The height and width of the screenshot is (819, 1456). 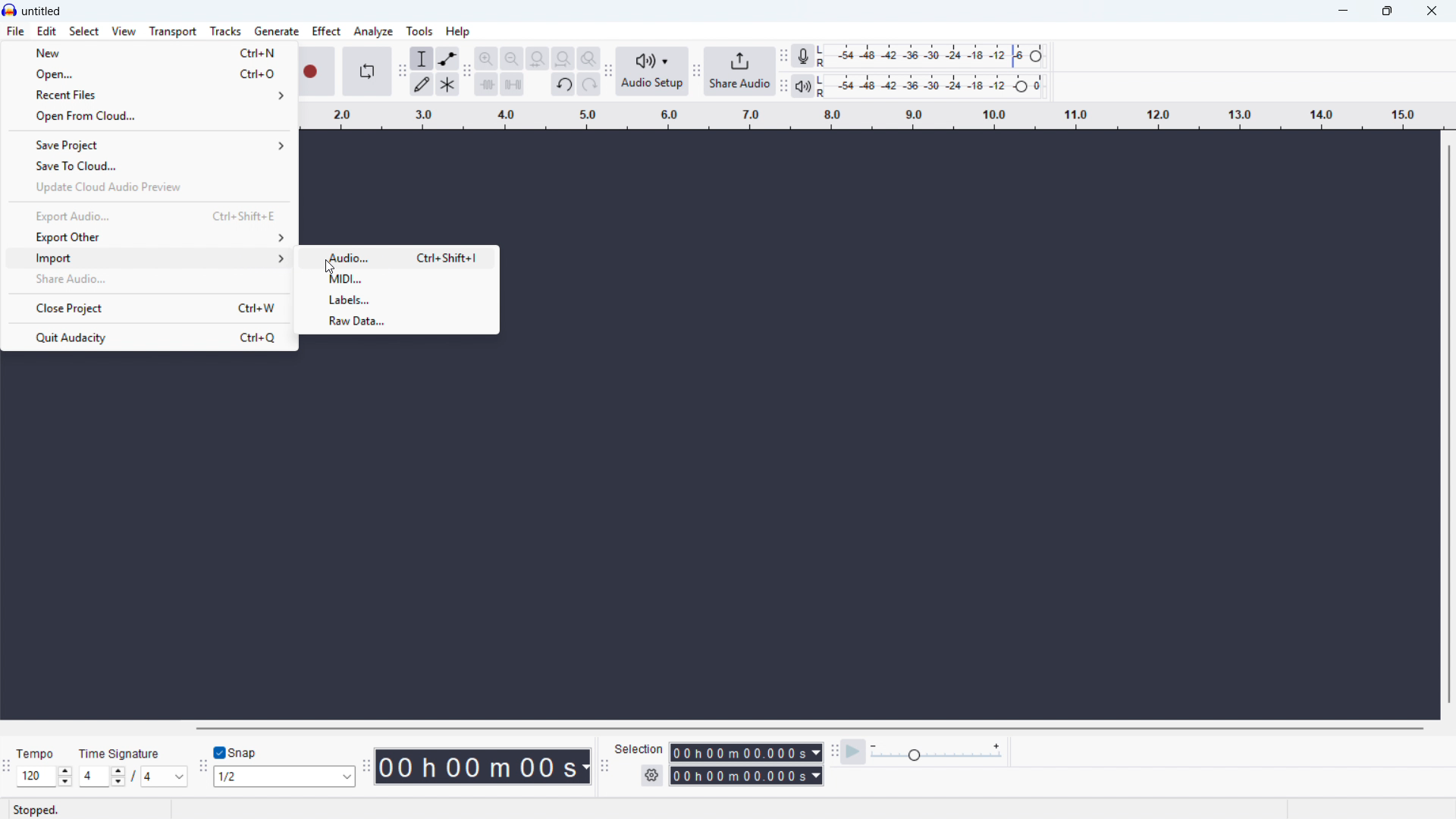 I want to click on , so click(x=937, y=752).